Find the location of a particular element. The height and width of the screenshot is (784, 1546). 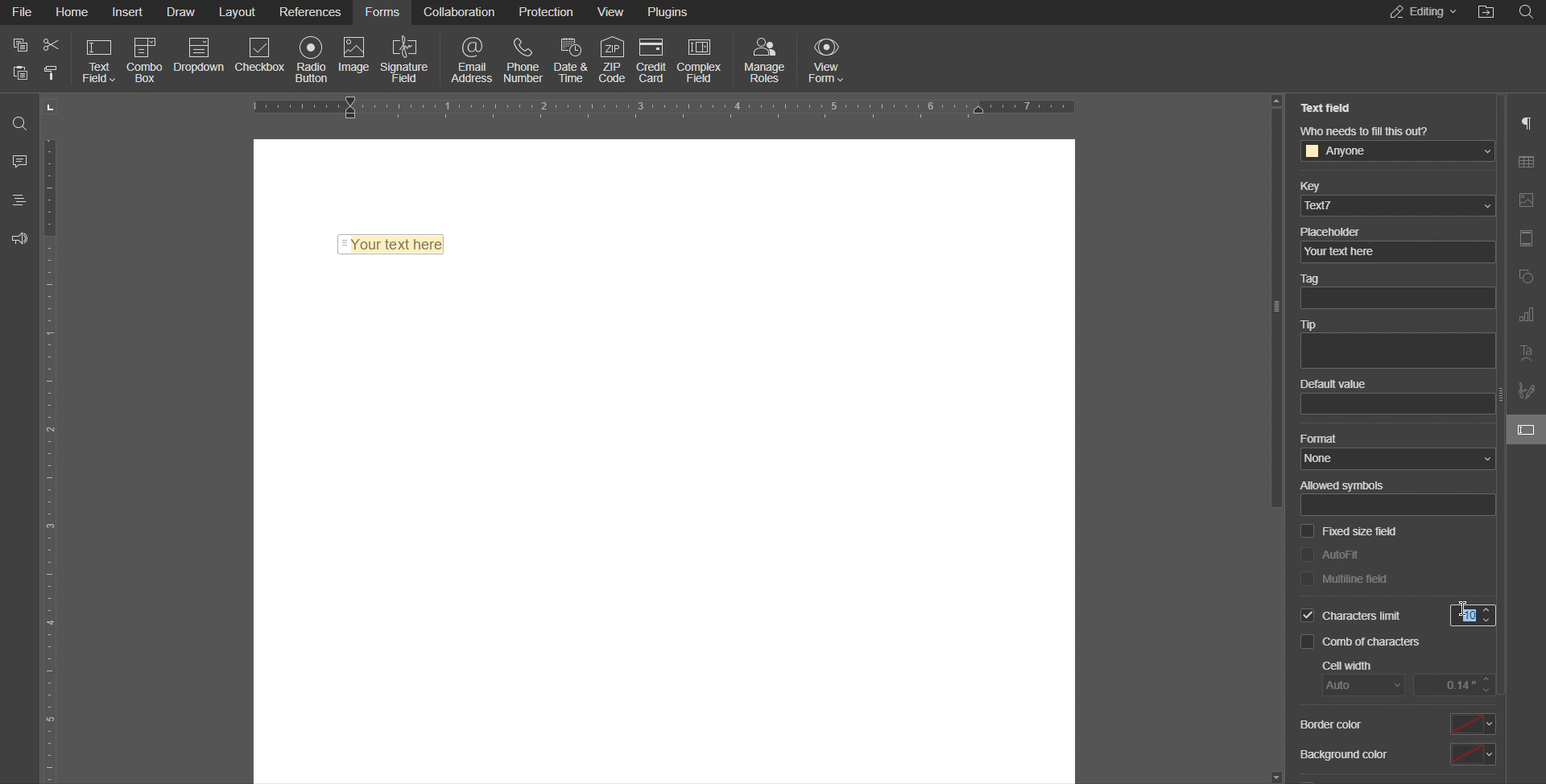

Shape Settings is located at coordinates (1526, 275).